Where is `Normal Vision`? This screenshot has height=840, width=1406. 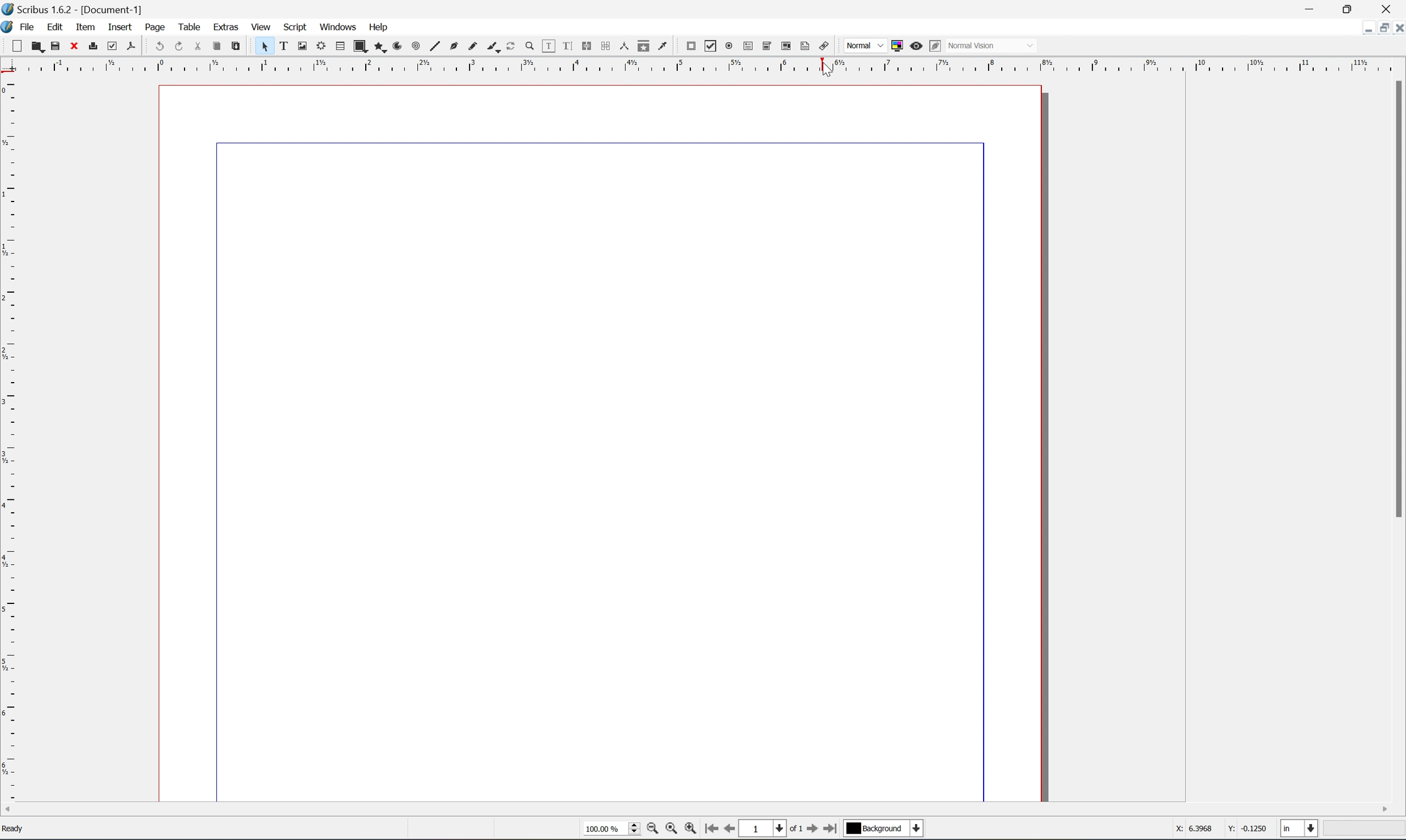 Normal Vision is located at coordinates (980, 46).